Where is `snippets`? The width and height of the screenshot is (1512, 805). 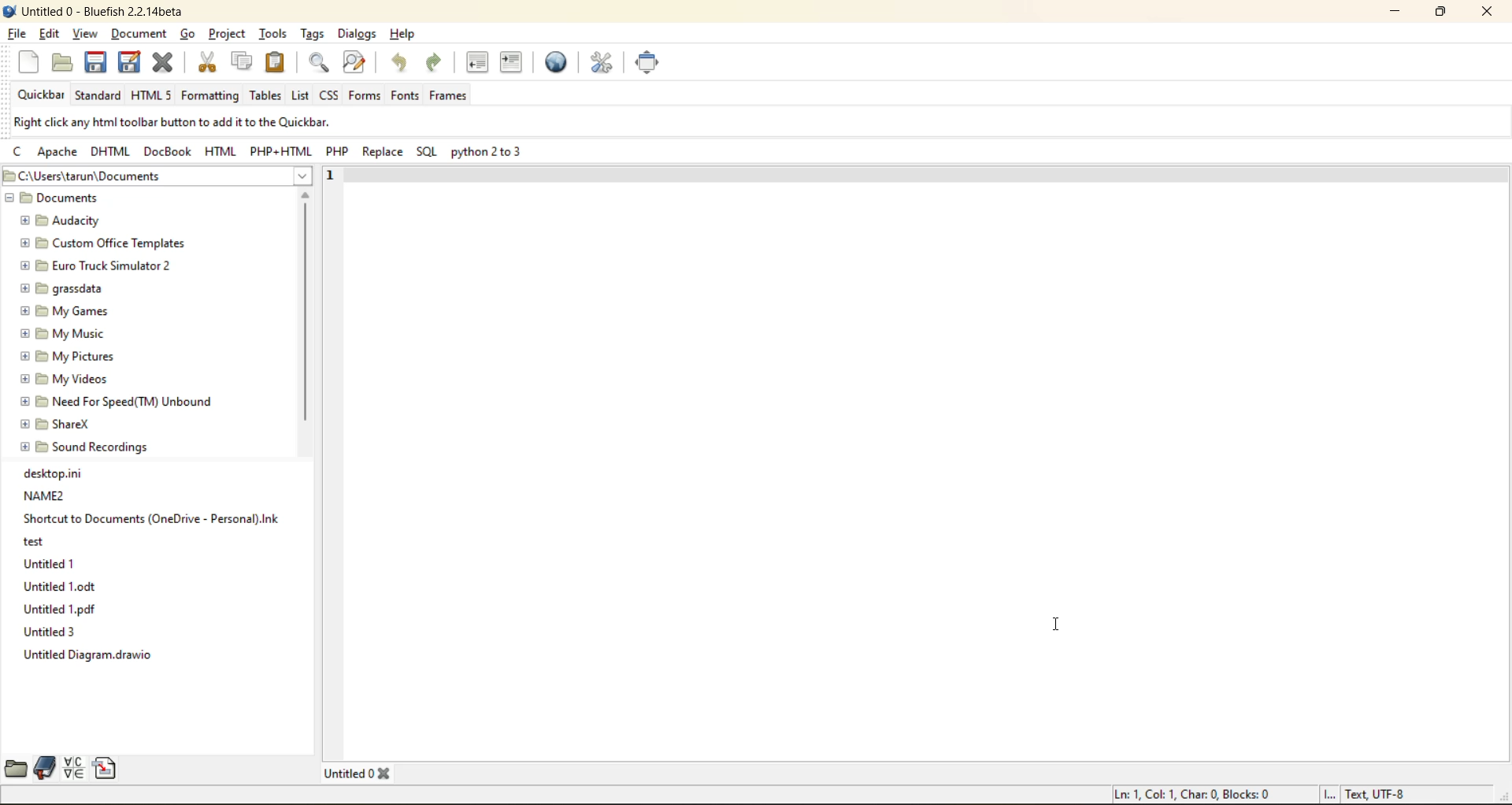 snippets is located at coordinates (105, 767).